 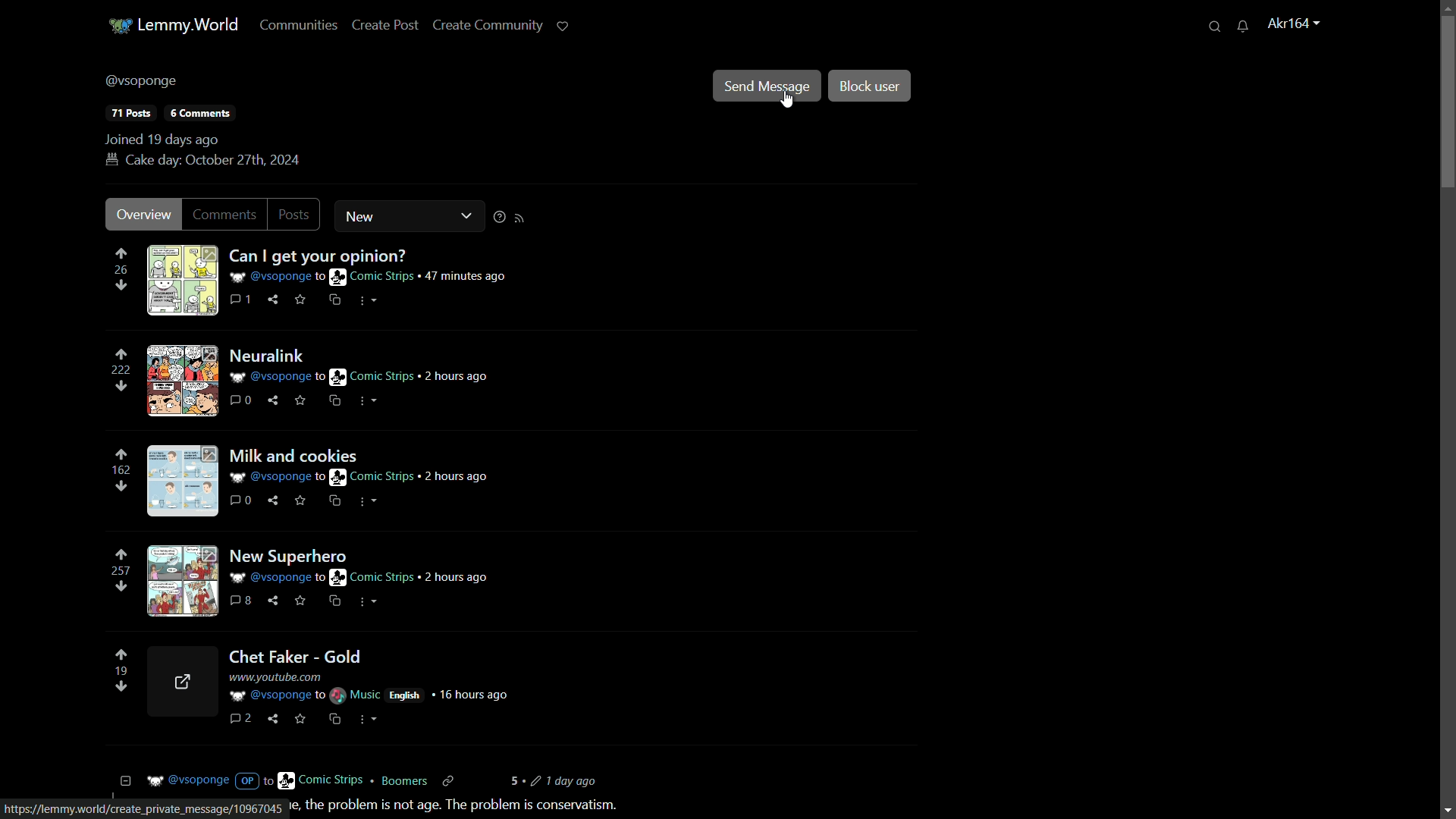 I want to click on number of votes, so click(x=122, y=672).